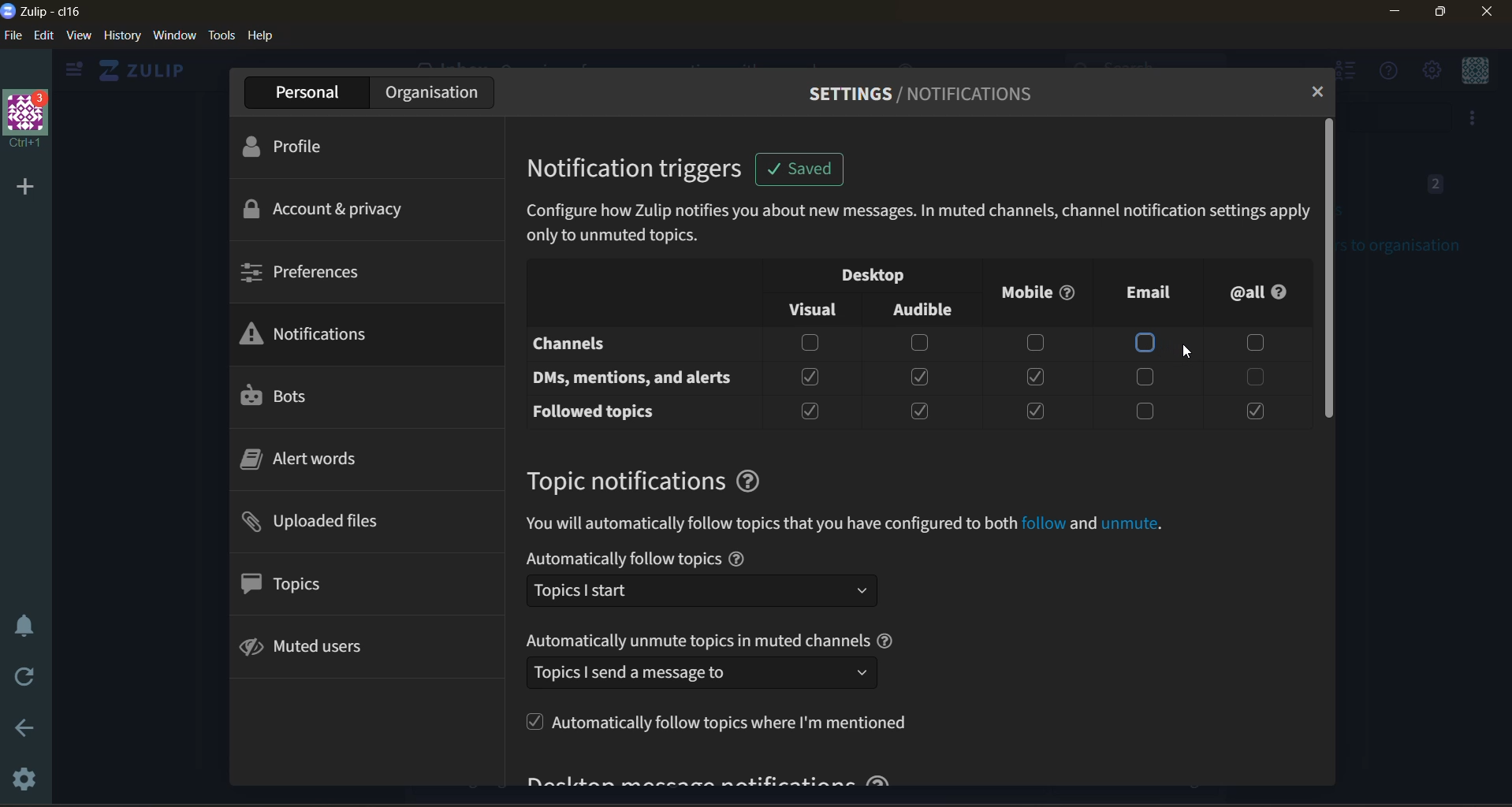 This screenshot has width=1512, height=807. I want to click on notifications triggers, so click(640, 168).